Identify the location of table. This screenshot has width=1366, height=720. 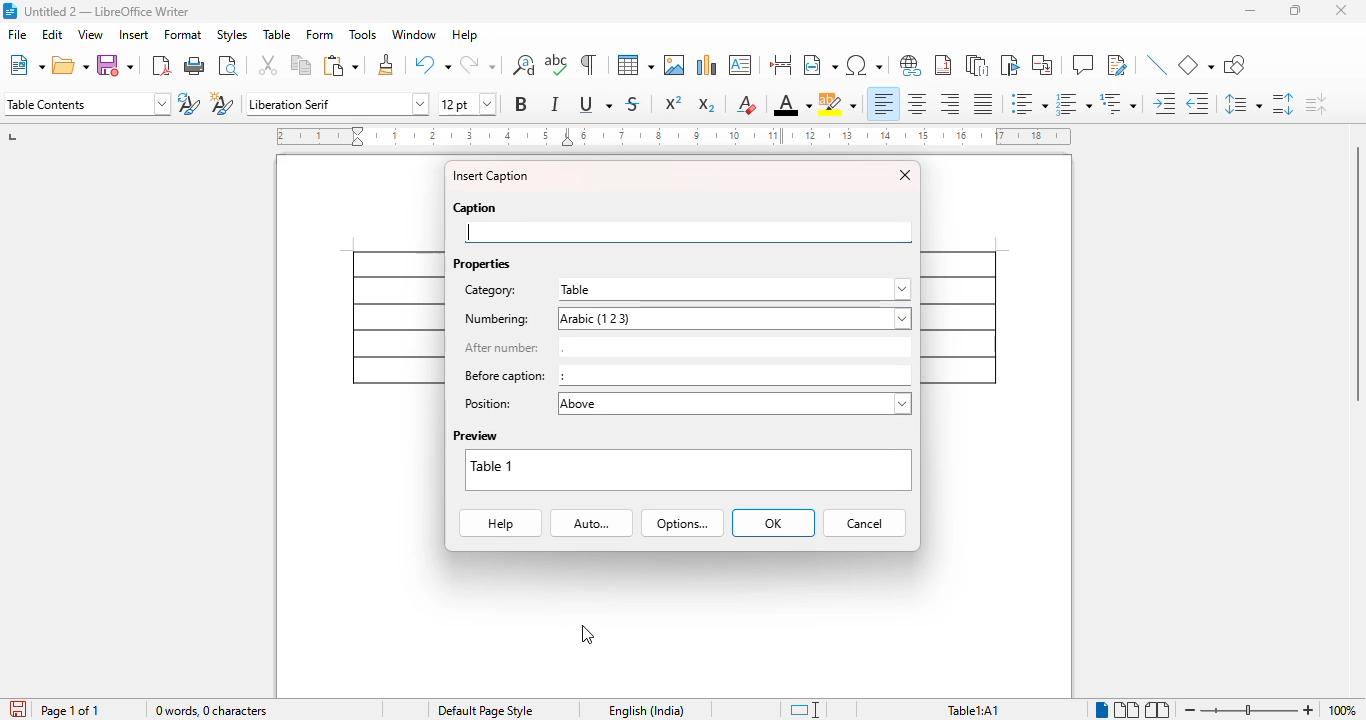
(636, 65).